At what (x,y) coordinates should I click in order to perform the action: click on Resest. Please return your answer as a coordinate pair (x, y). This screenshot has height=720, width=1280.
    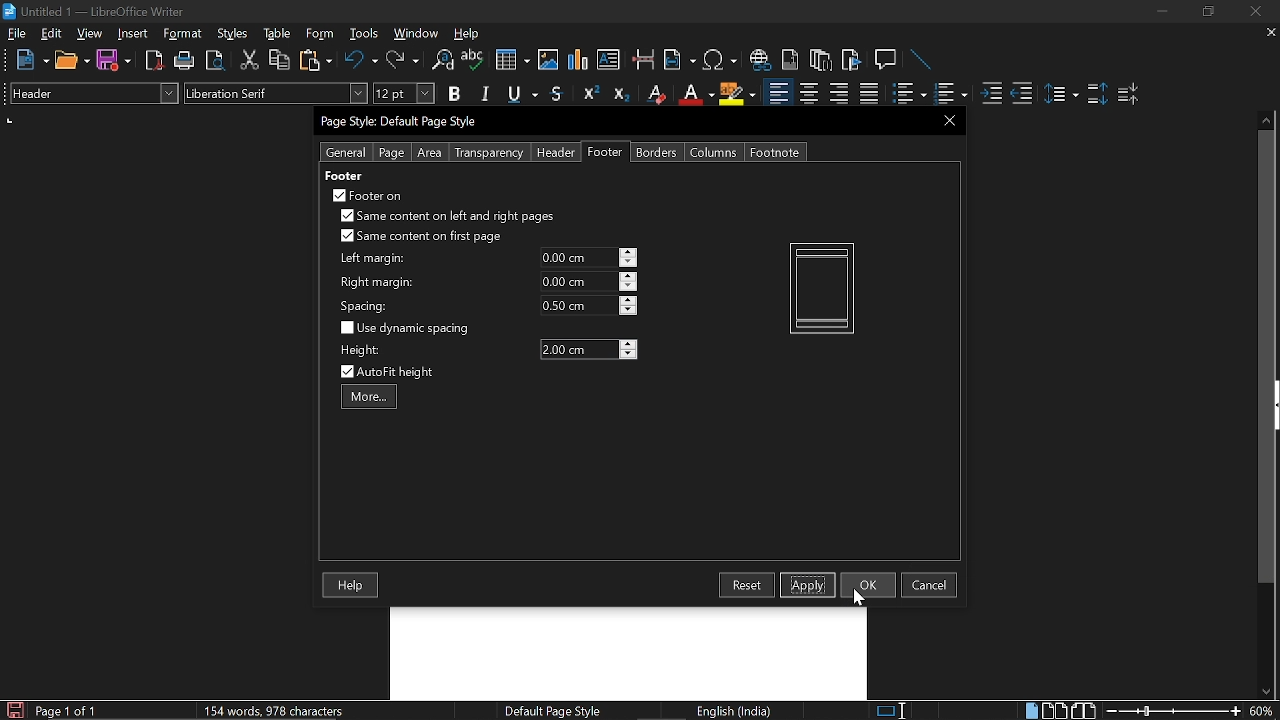
    Looking at the image, I should click on (747, 585).